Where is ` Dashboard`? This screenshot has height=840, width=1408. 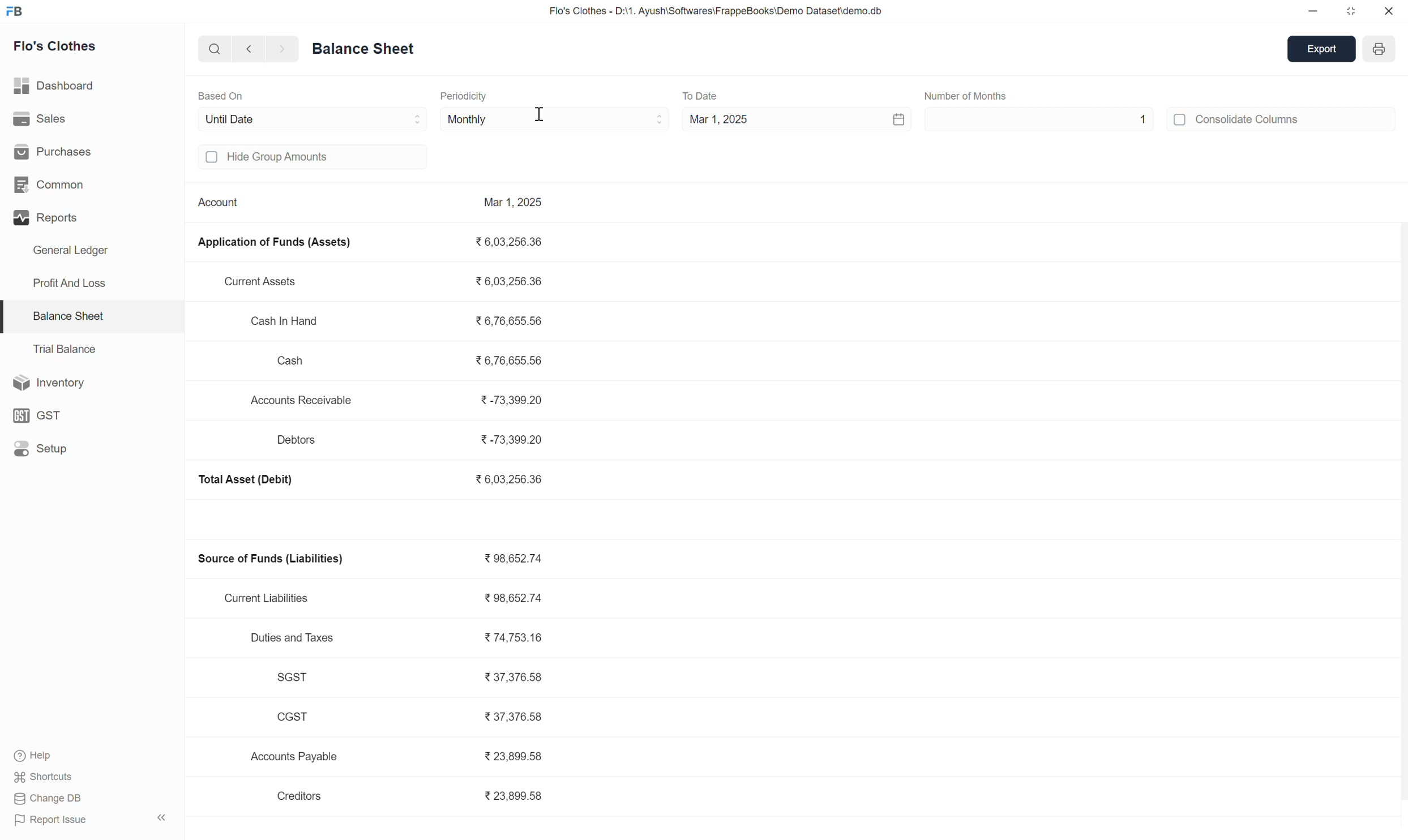
 Dashboard is located at coordinates (62, 87).